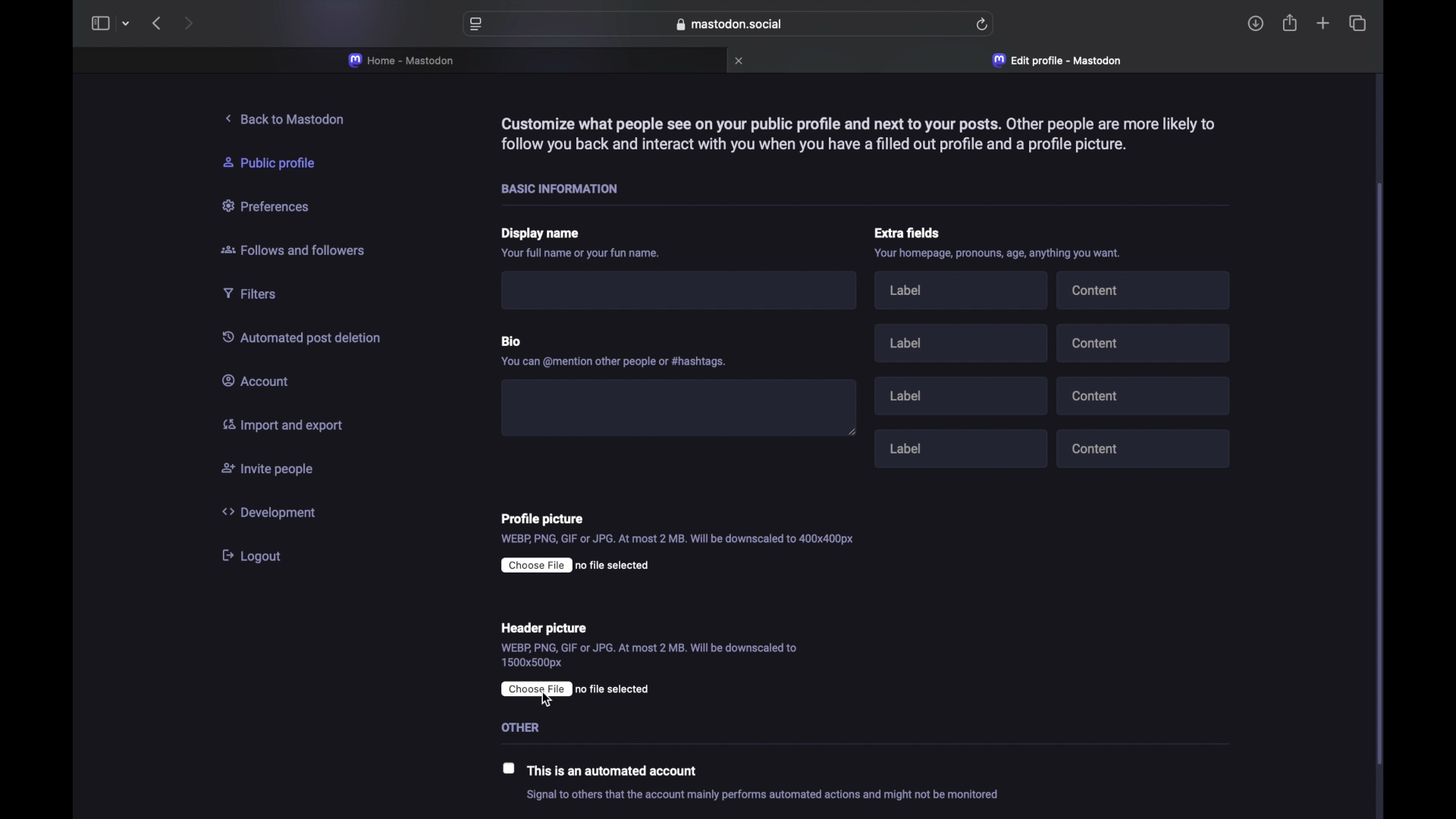 This screenshot has width=1456, height=819. I want to click on refresh, so click(983, 24).